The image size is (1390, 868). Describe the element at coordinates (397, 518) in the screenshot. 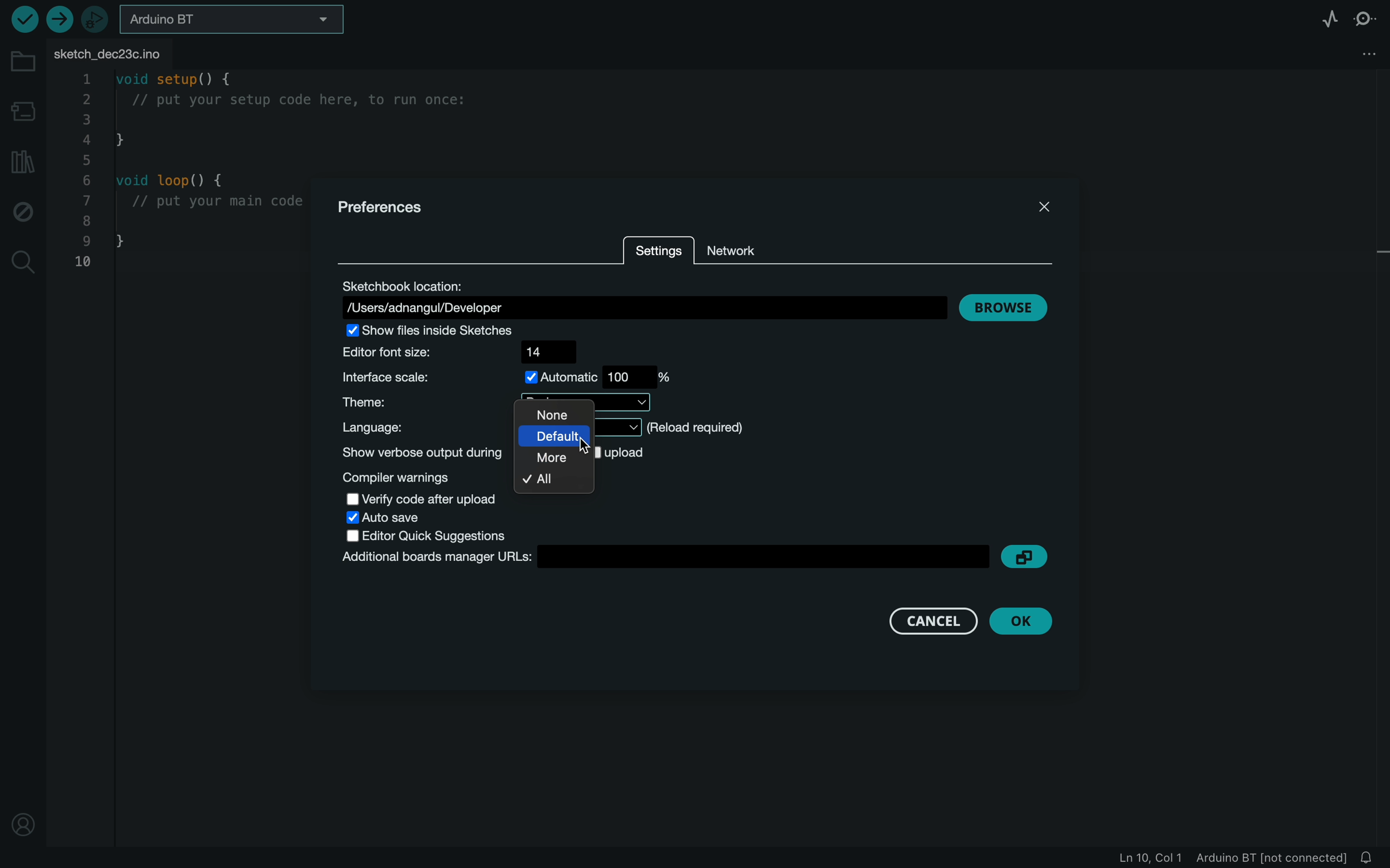

I see `auto save` at that location.